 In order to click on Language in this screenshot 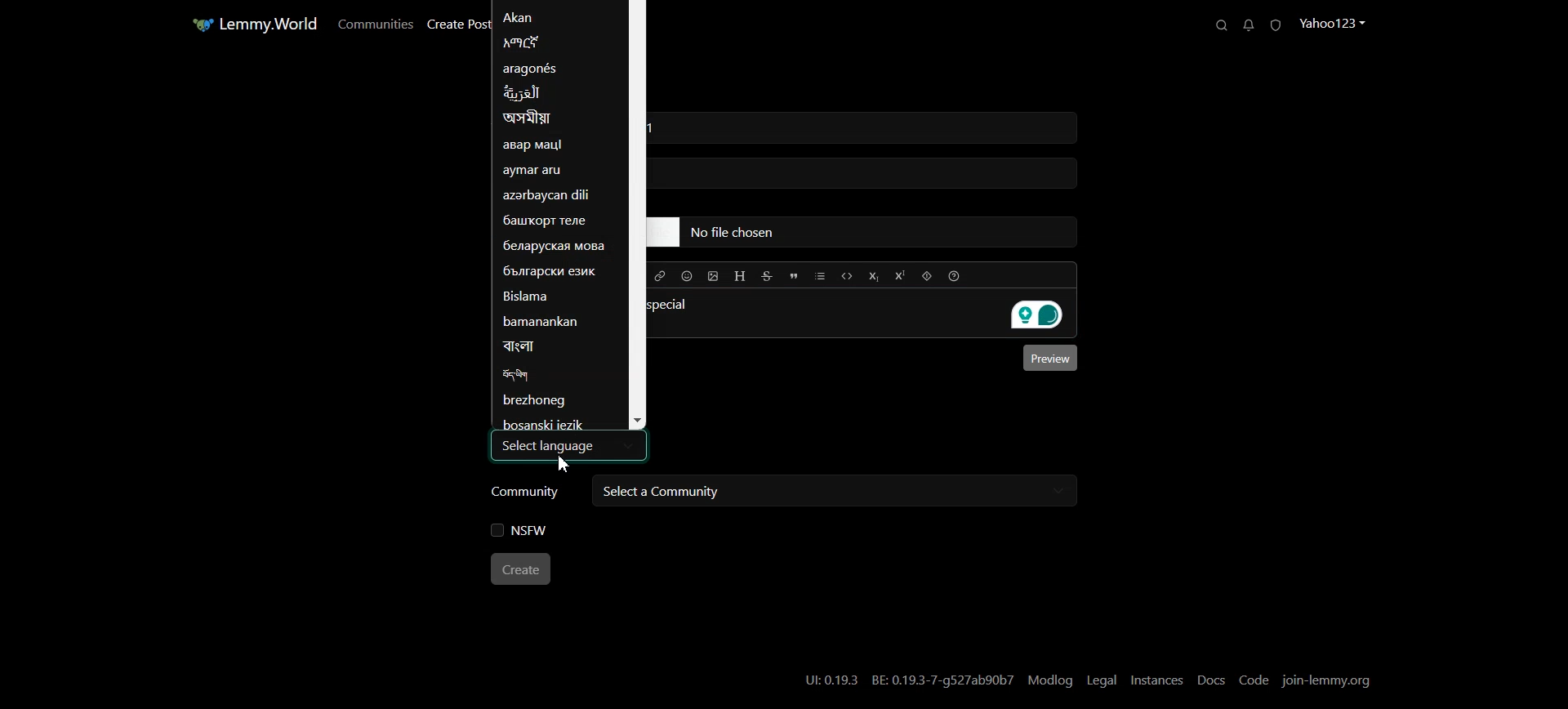, I will do `click(558, 221)`.